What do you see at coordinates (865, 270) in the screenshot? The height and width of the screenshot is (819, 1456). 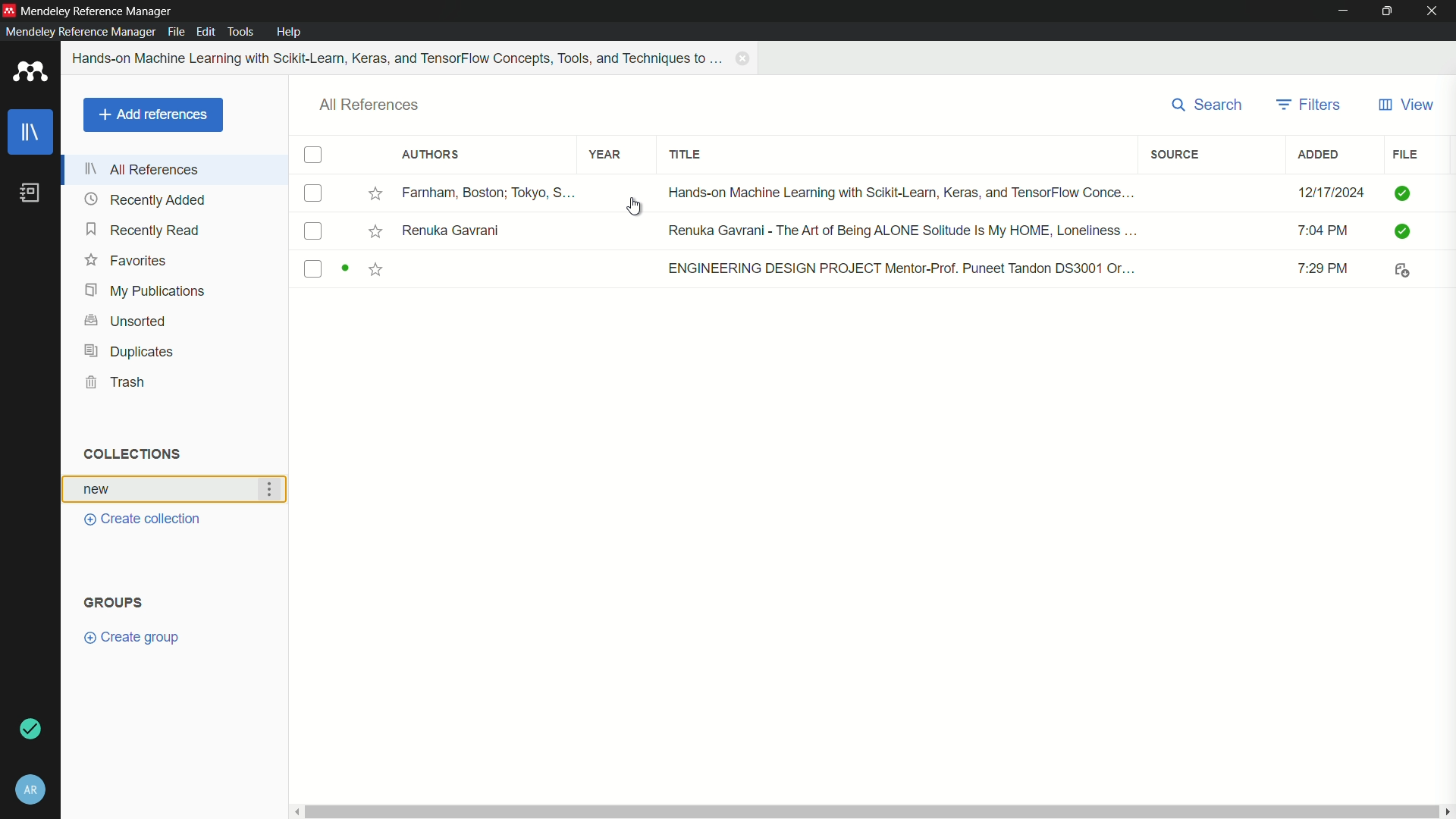 I see `book-3` at bounding box center [865, 270].